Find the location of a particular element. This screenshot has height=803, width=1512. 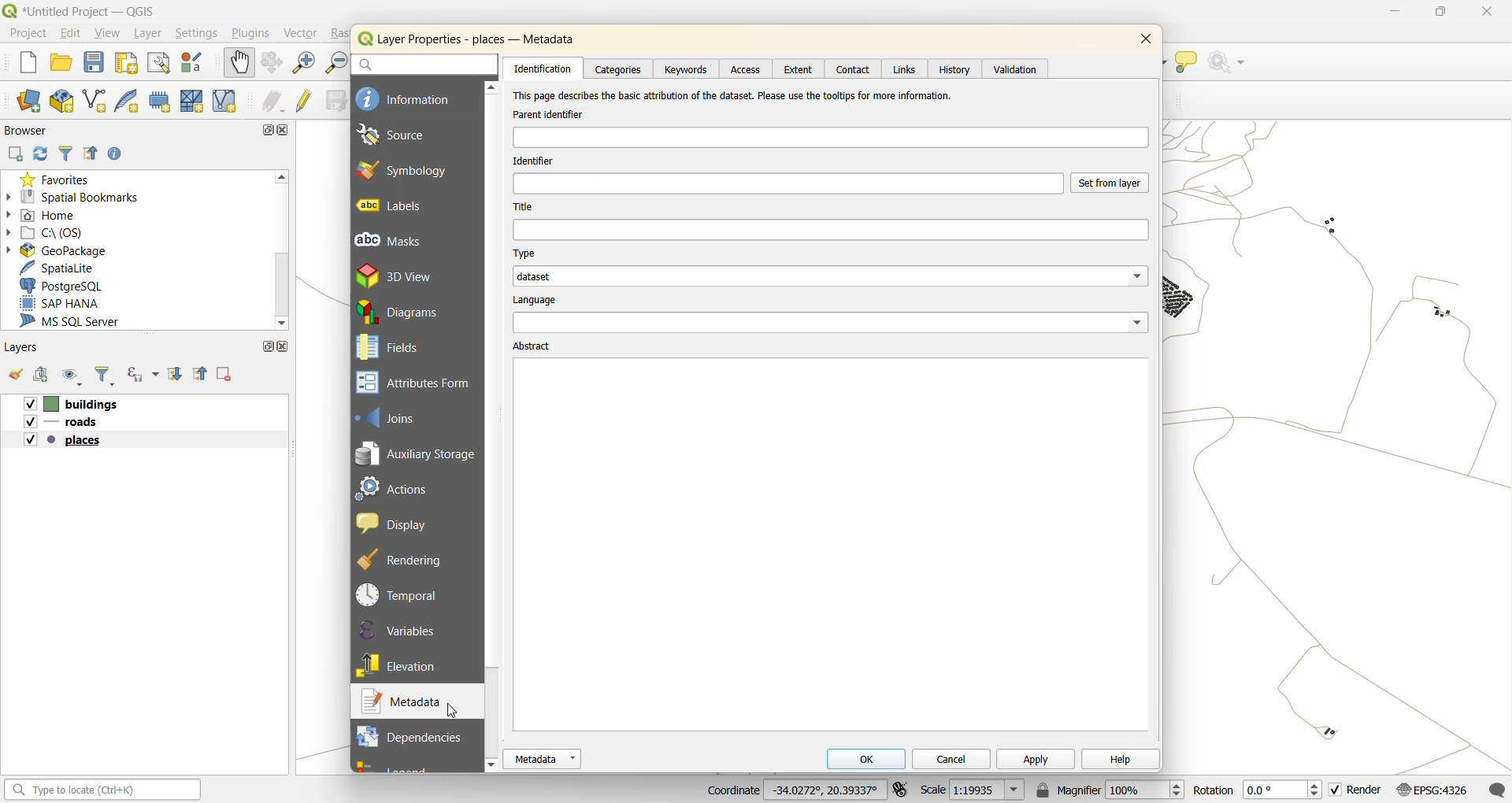

edits is located at coordinates (269, 105).